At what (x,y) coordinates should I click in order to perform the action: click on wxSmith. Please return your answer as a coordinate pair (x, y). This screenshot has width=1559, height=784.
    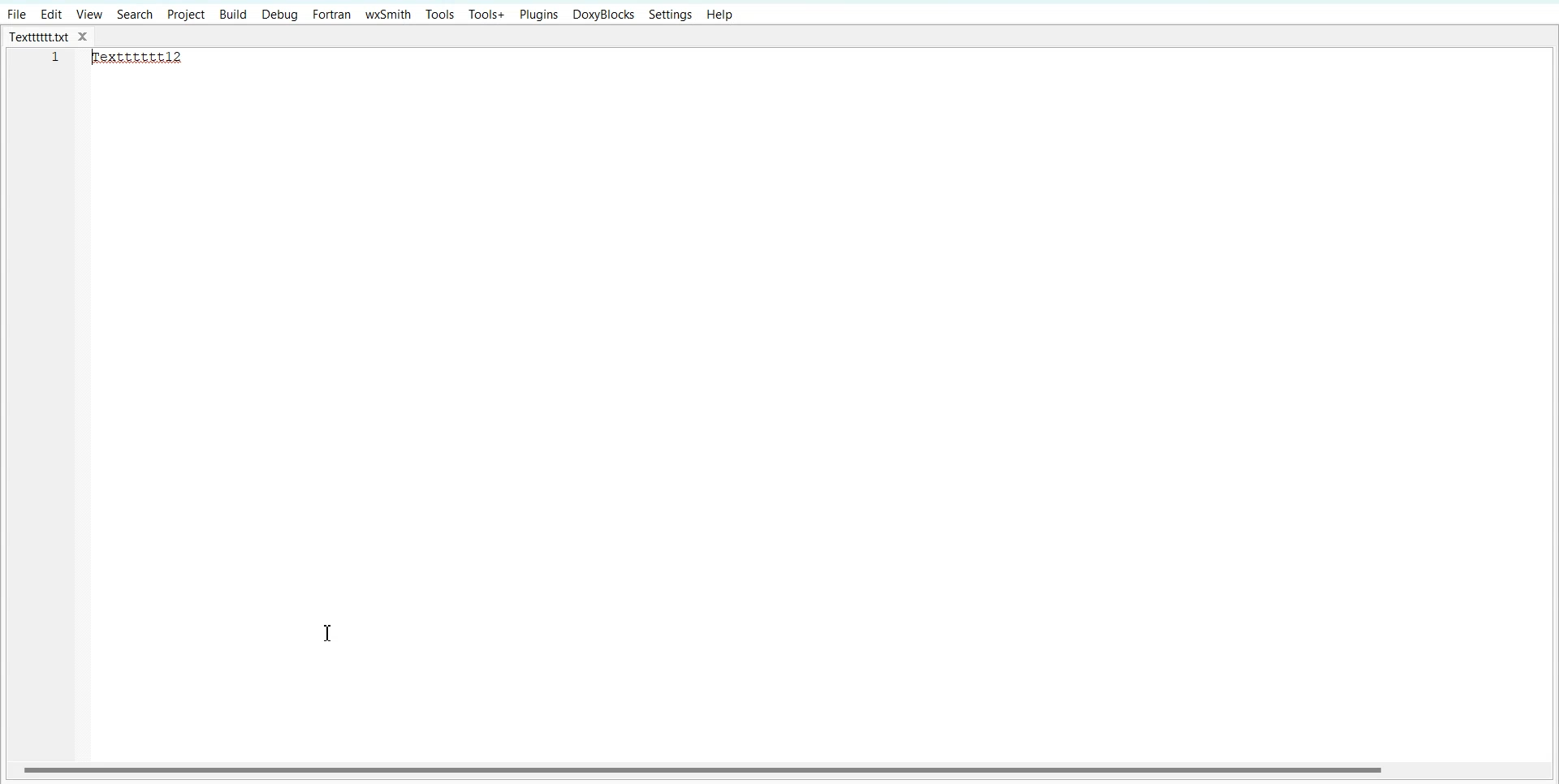
    Looking at the image, I should click on (389, 14).